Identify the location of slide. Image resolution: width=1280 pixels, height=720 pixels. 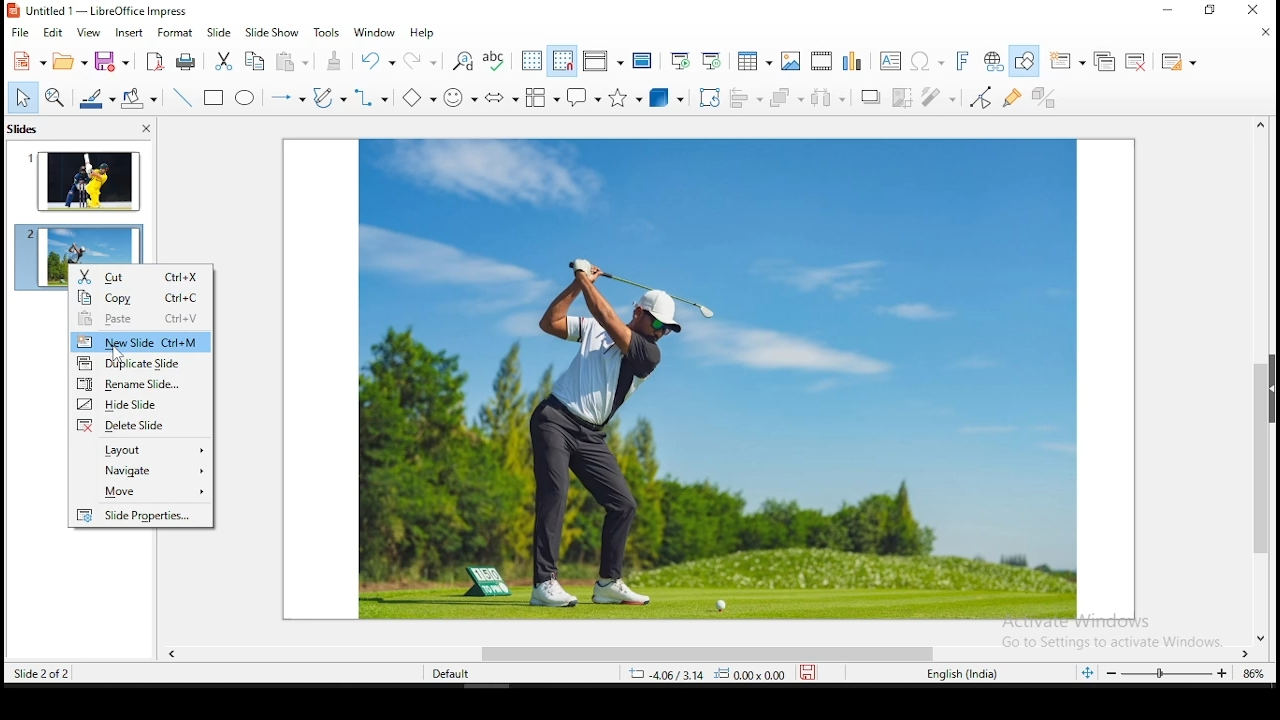
(220, 32).